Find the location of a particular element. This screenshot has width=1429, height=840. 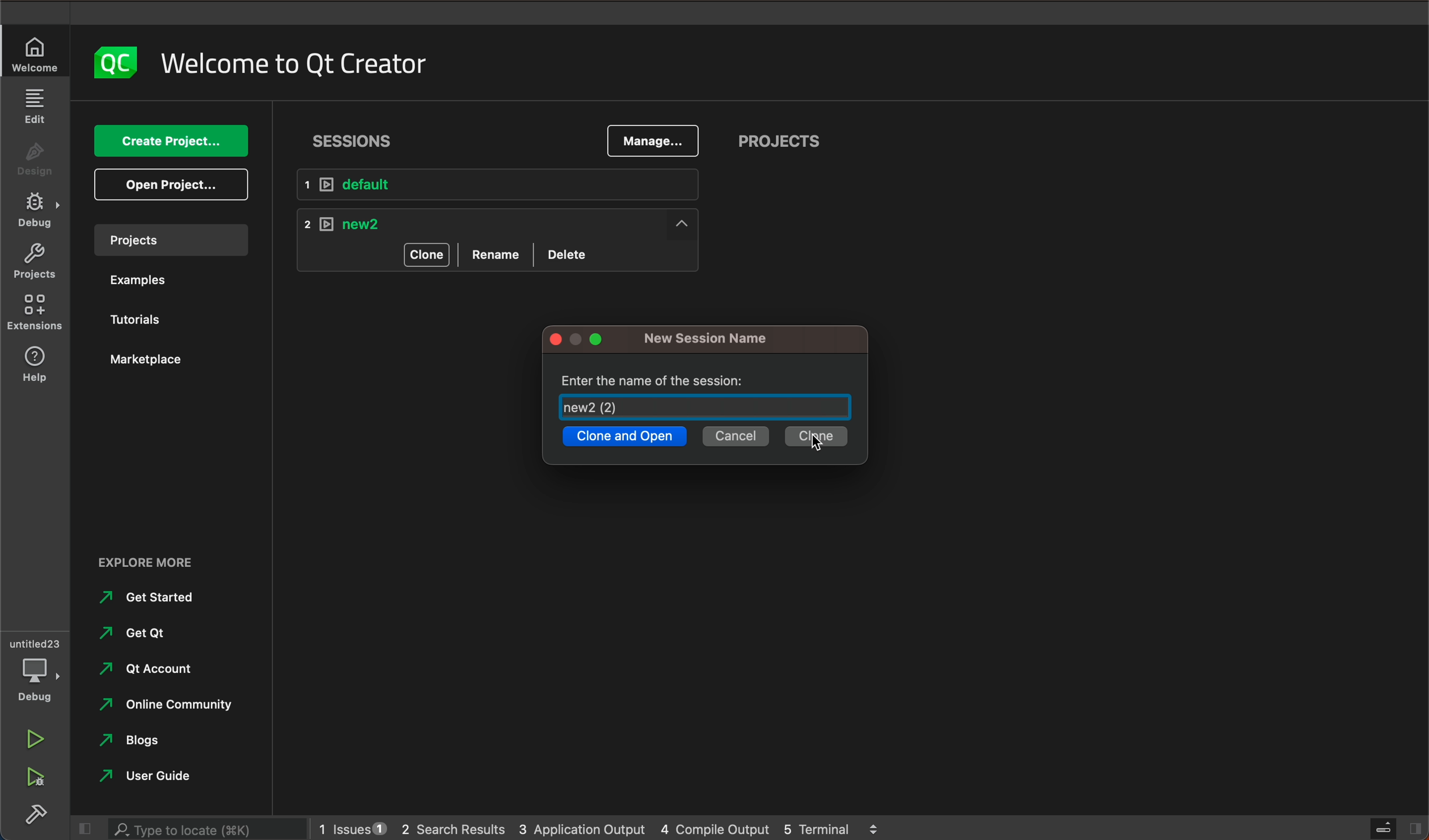

close slide bar is located at coordinates (1388, 828).